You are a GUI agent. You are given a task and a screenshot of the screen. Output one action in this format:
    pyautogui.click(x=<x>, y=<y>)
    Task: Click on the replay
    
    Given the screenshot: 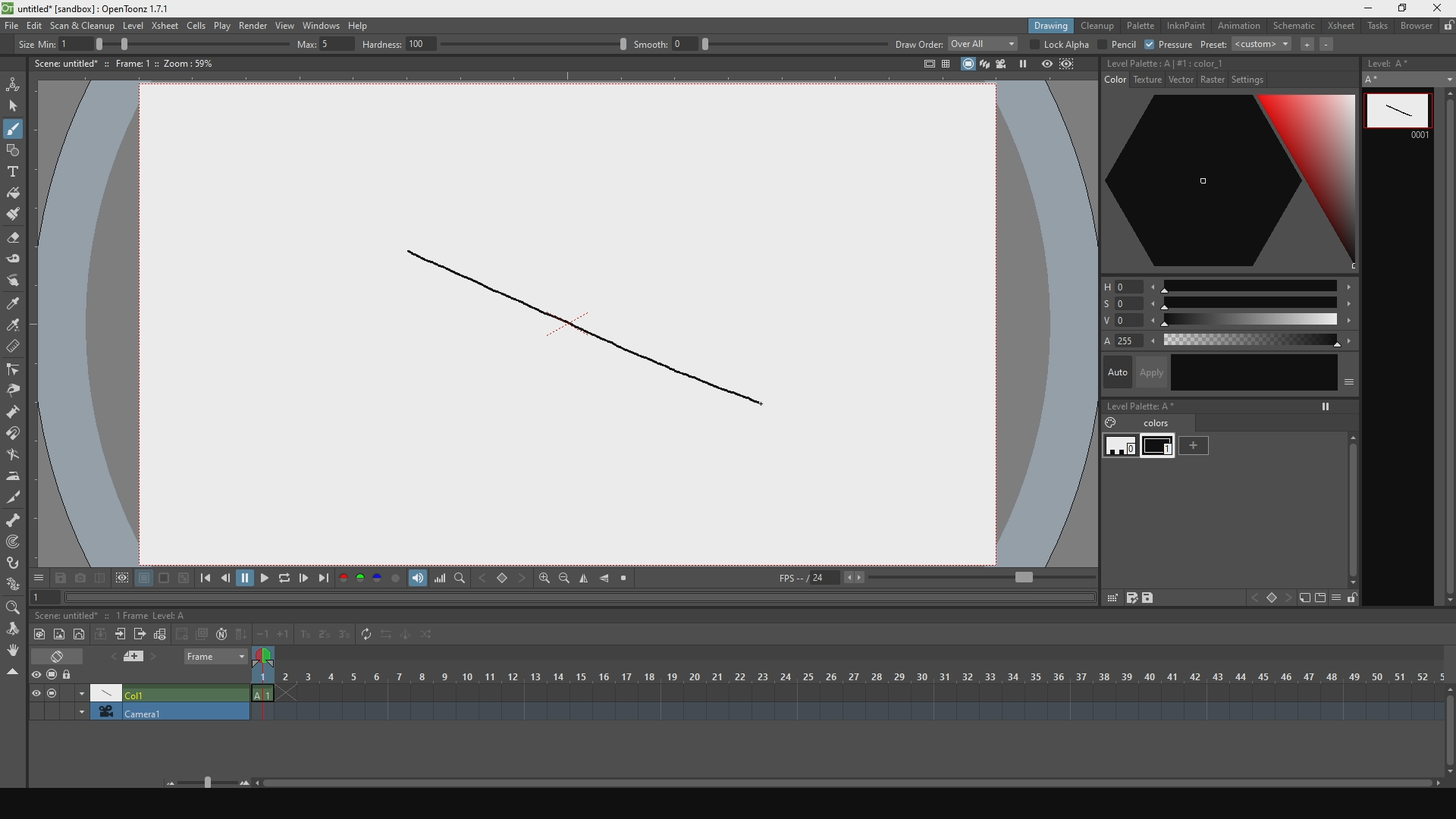 What is the action you would take?
    pyautogui.click(x=287, y=582)
    